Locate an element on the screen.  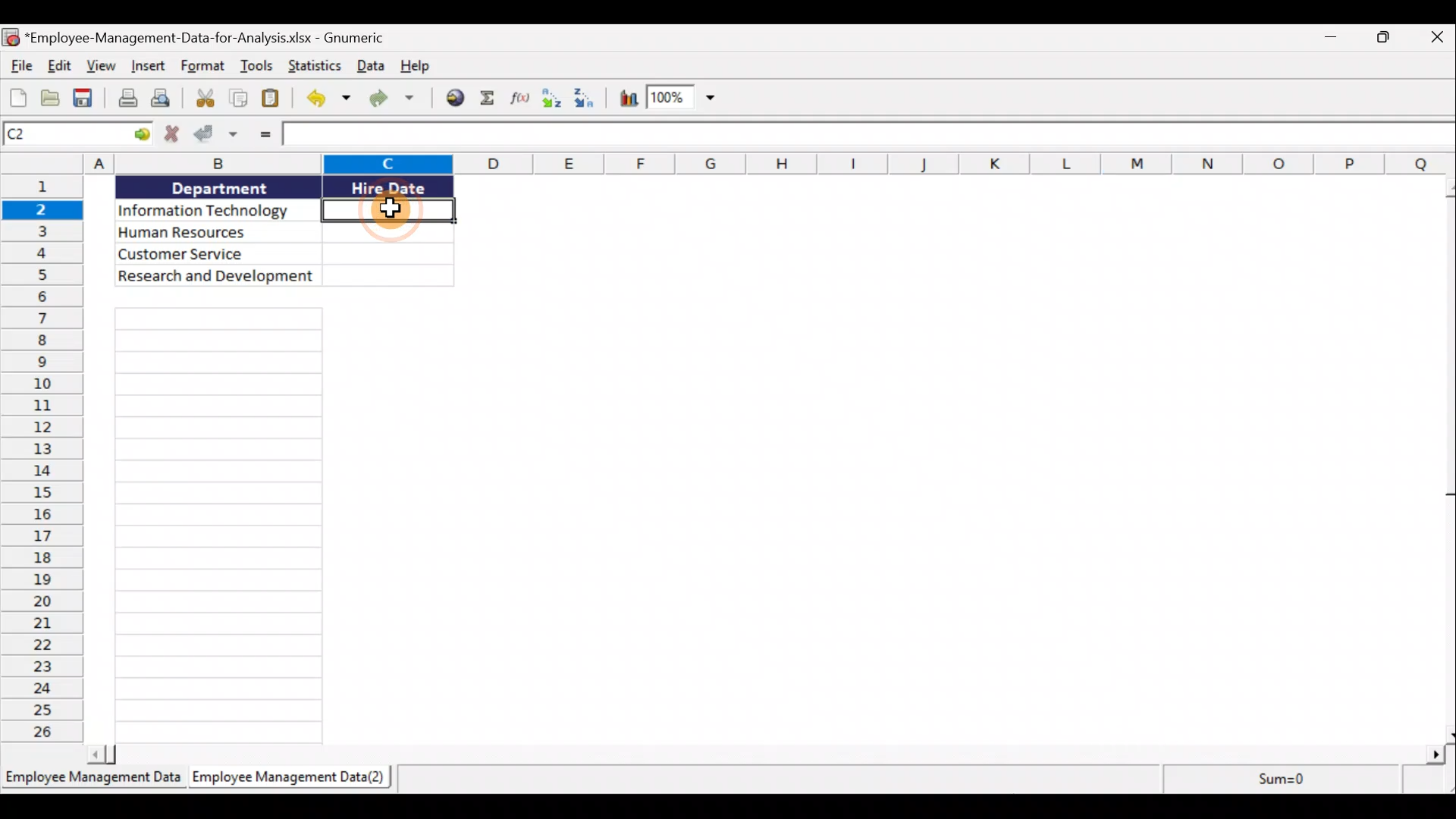
Sort Ascending is located at coordinates (554, 99).